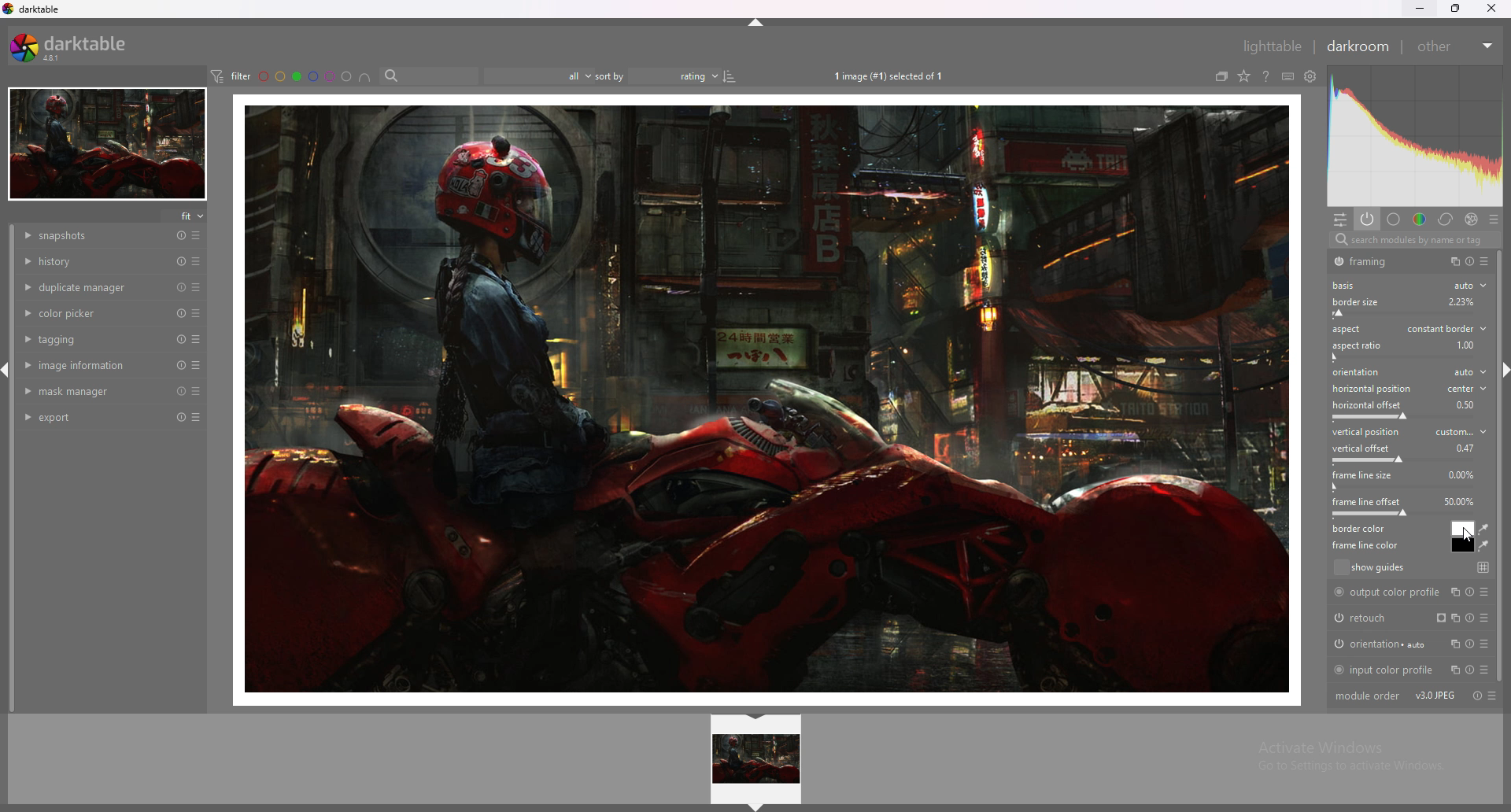  What do you see at coordinates (1495, 696) in the screenshot?
I see `presets` at bounding box center [1495, 696].